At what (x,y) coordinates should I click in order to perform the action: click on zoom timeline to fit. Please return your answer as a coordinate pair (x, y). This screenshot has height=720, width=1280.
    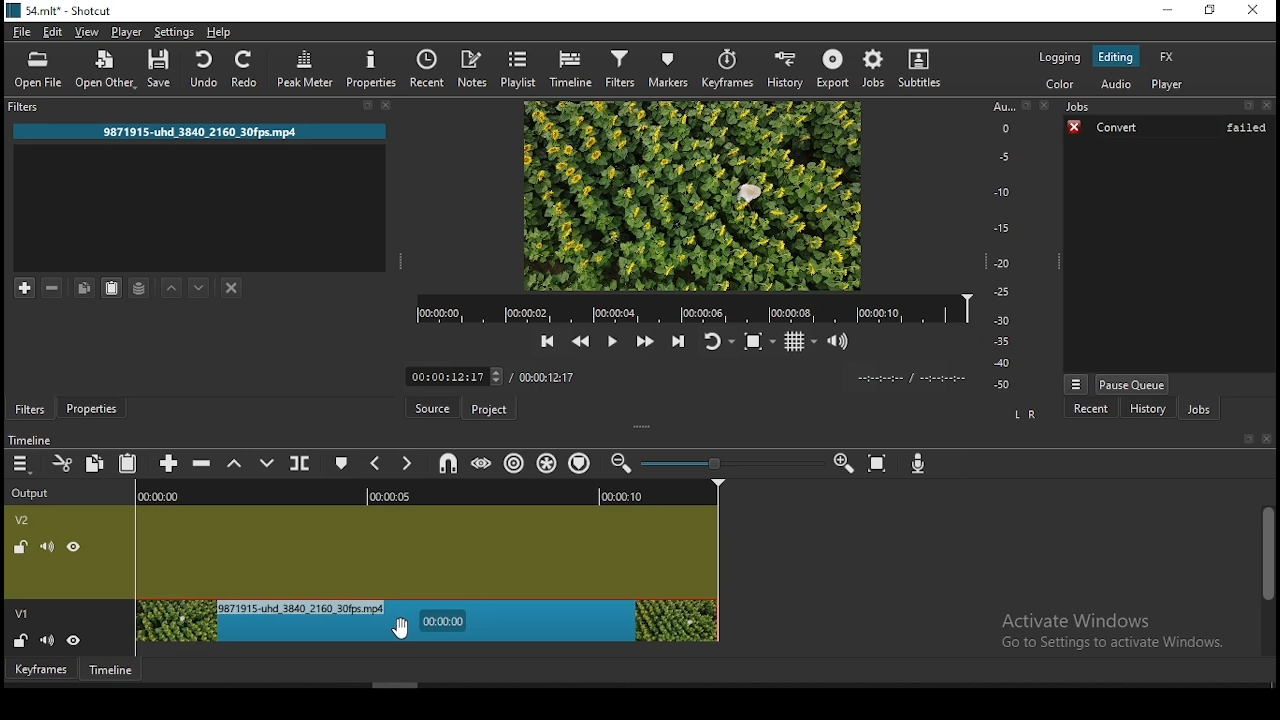
    Looking at the image, I should click on (879, 465).